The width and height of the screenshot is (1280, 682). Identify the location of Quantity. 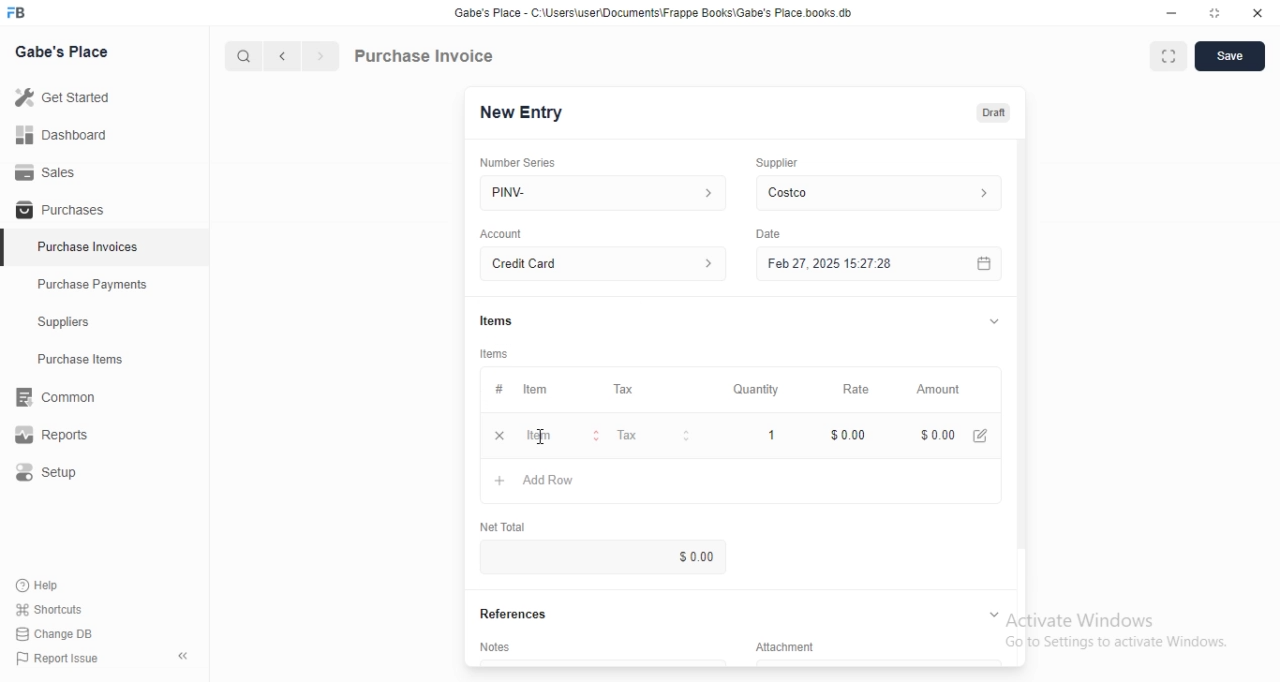
(750, 389).